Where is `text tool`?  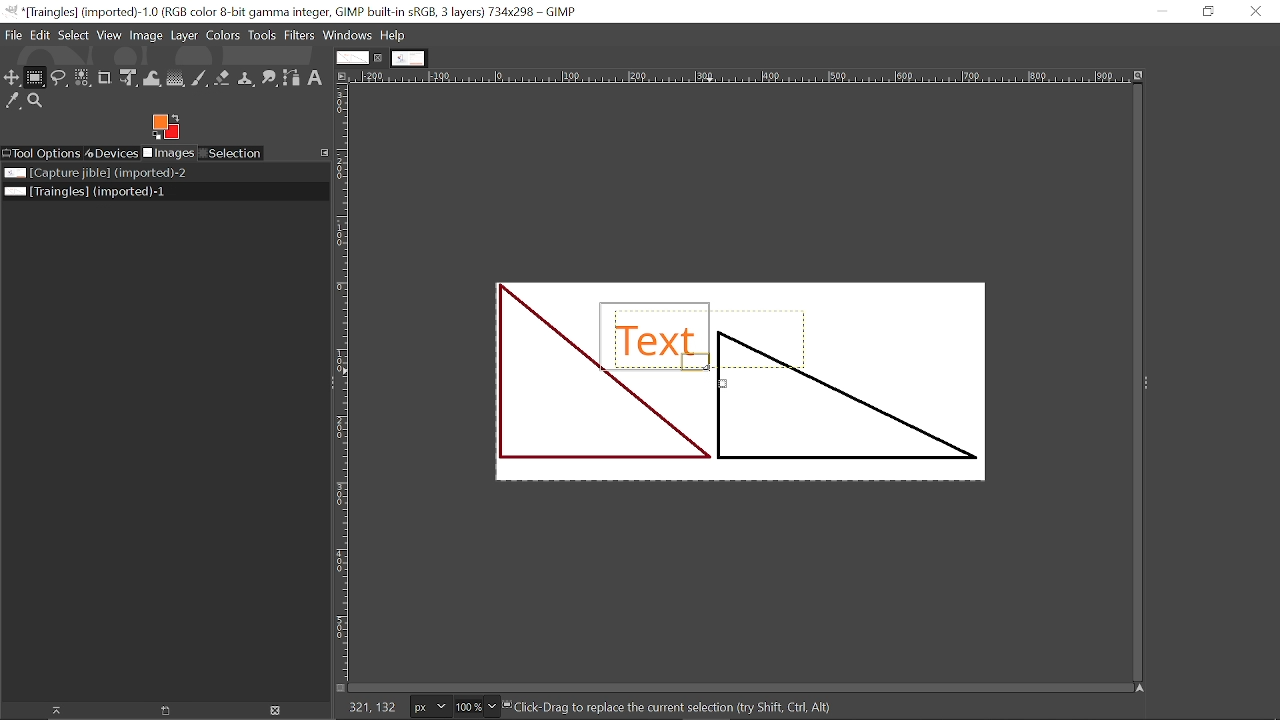
text tool is located at coordinates (316, 79).